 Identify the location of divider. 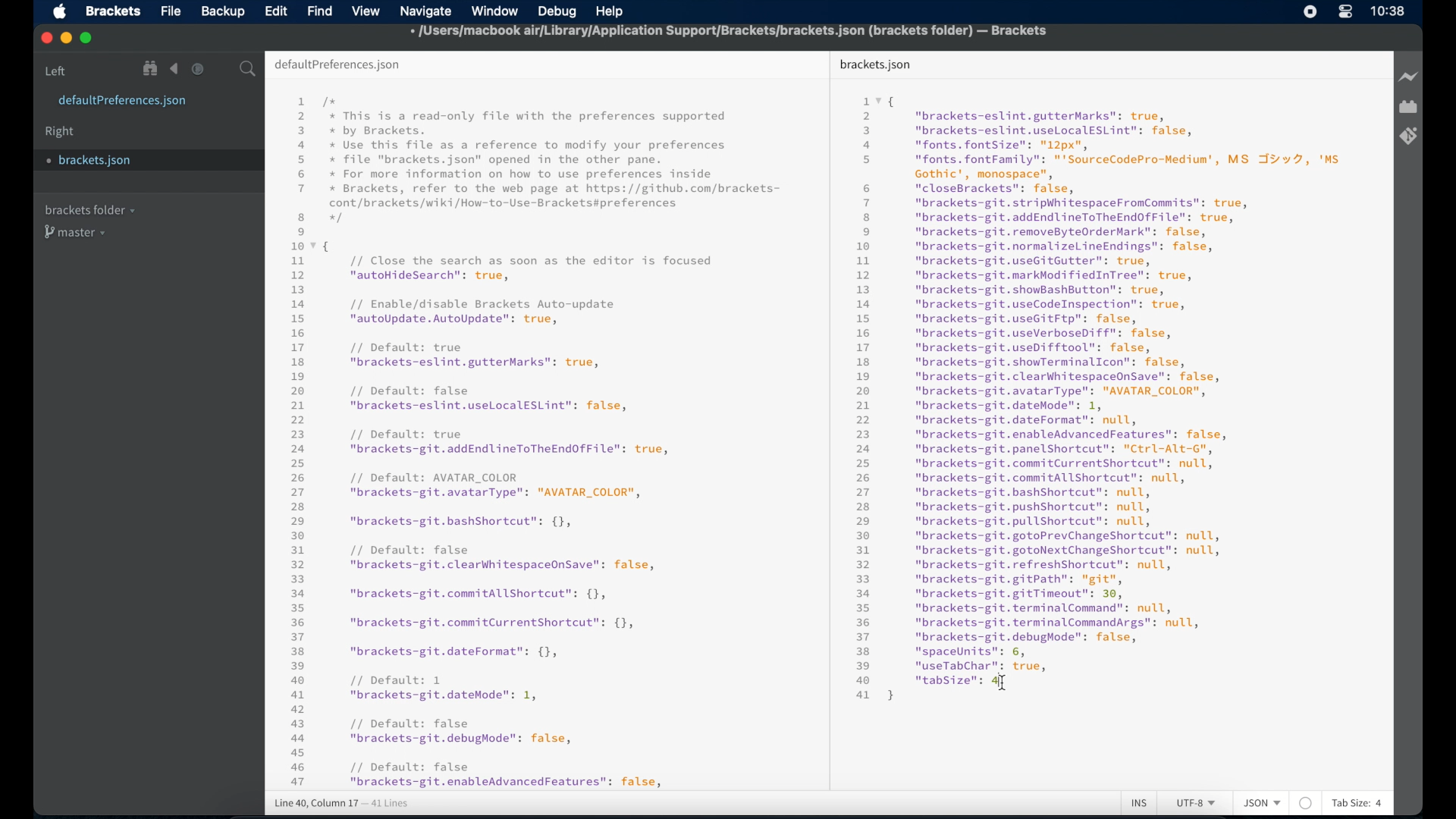
(826, 419).